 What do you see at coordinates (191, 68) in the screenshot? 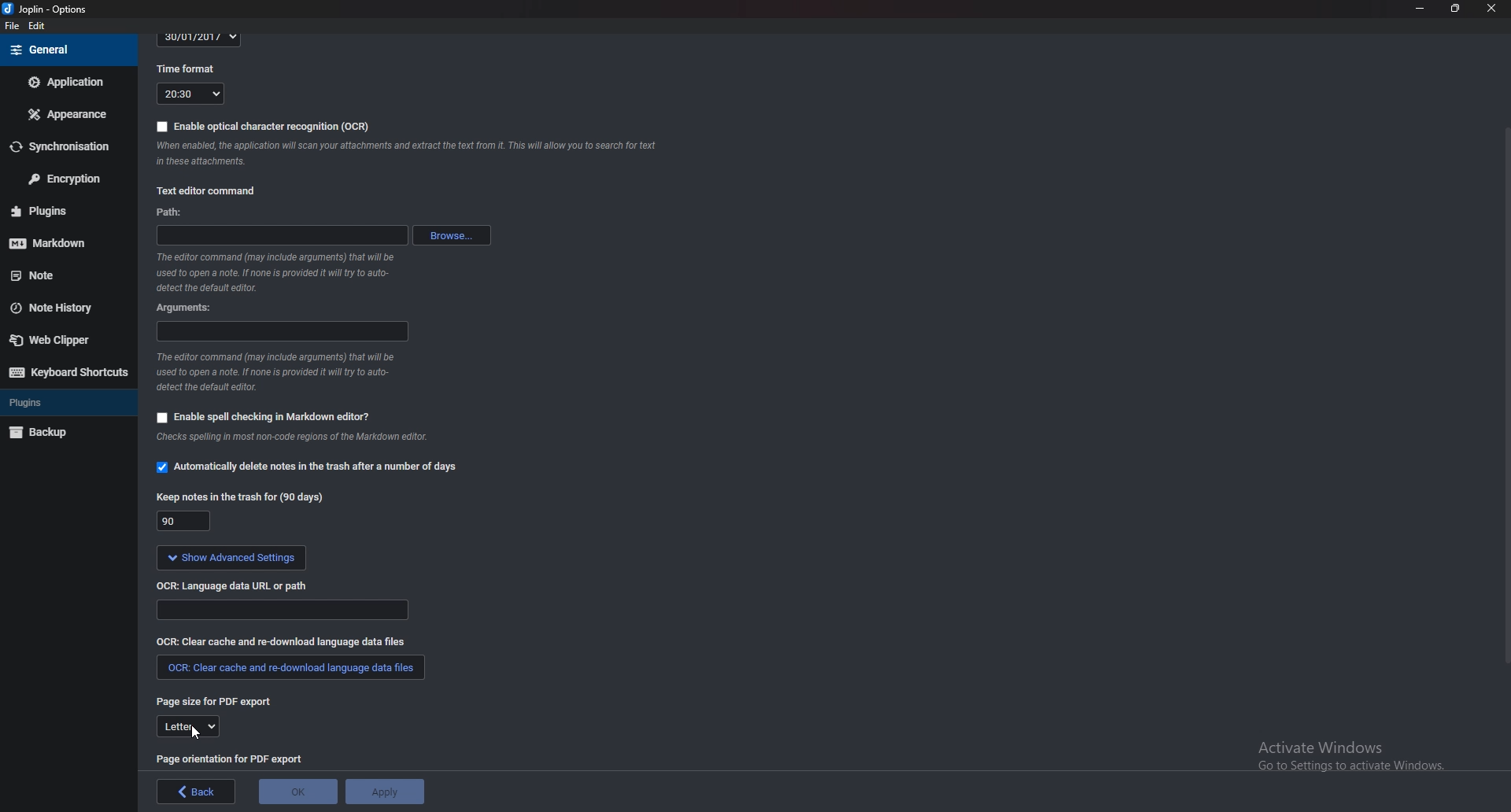
I see `Time format` at bounding box center [191, 68].